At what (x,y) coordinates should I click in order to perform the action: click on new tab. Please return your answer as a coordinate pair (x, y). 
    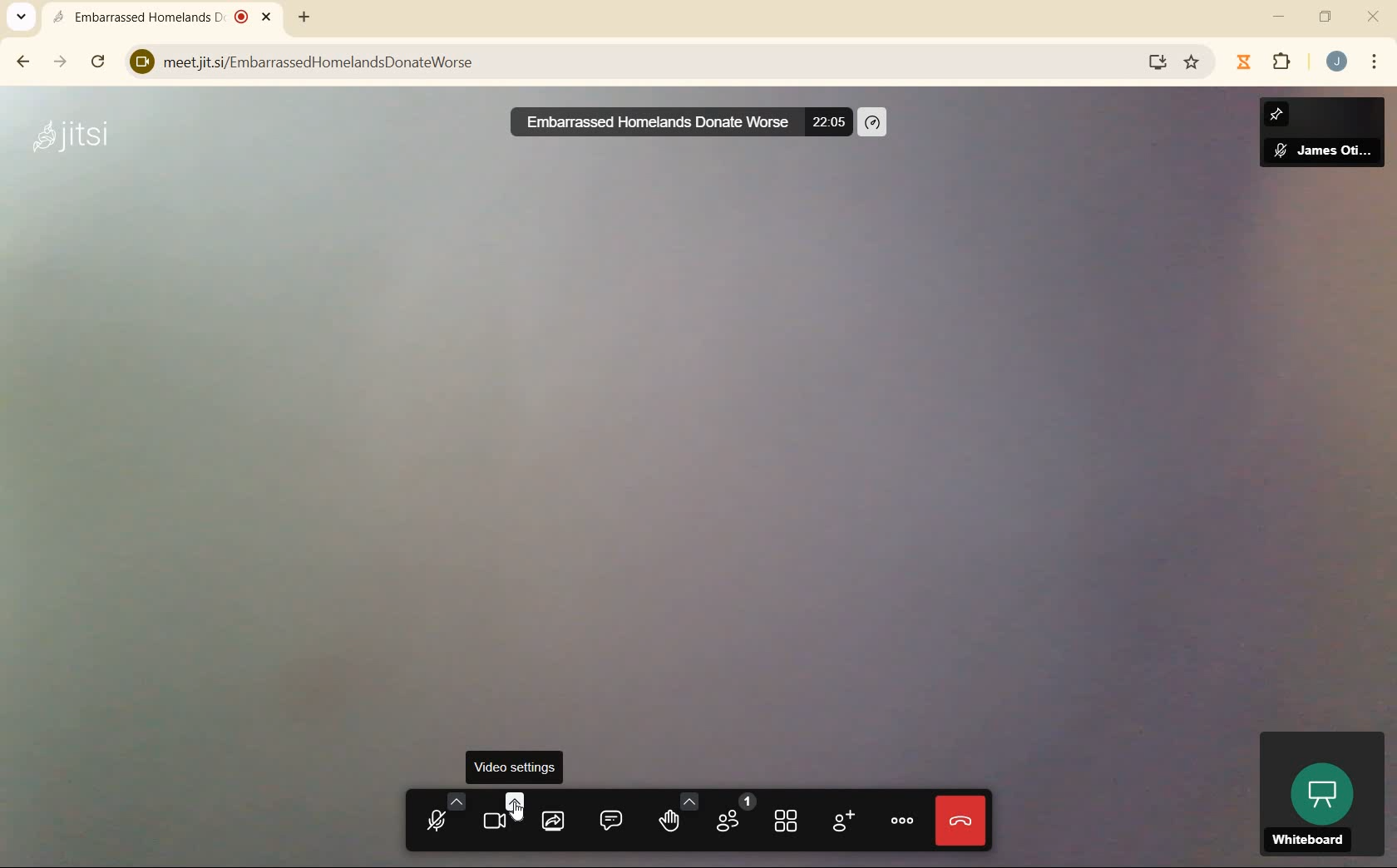
    Looking at the image, I should click on (305, 16).